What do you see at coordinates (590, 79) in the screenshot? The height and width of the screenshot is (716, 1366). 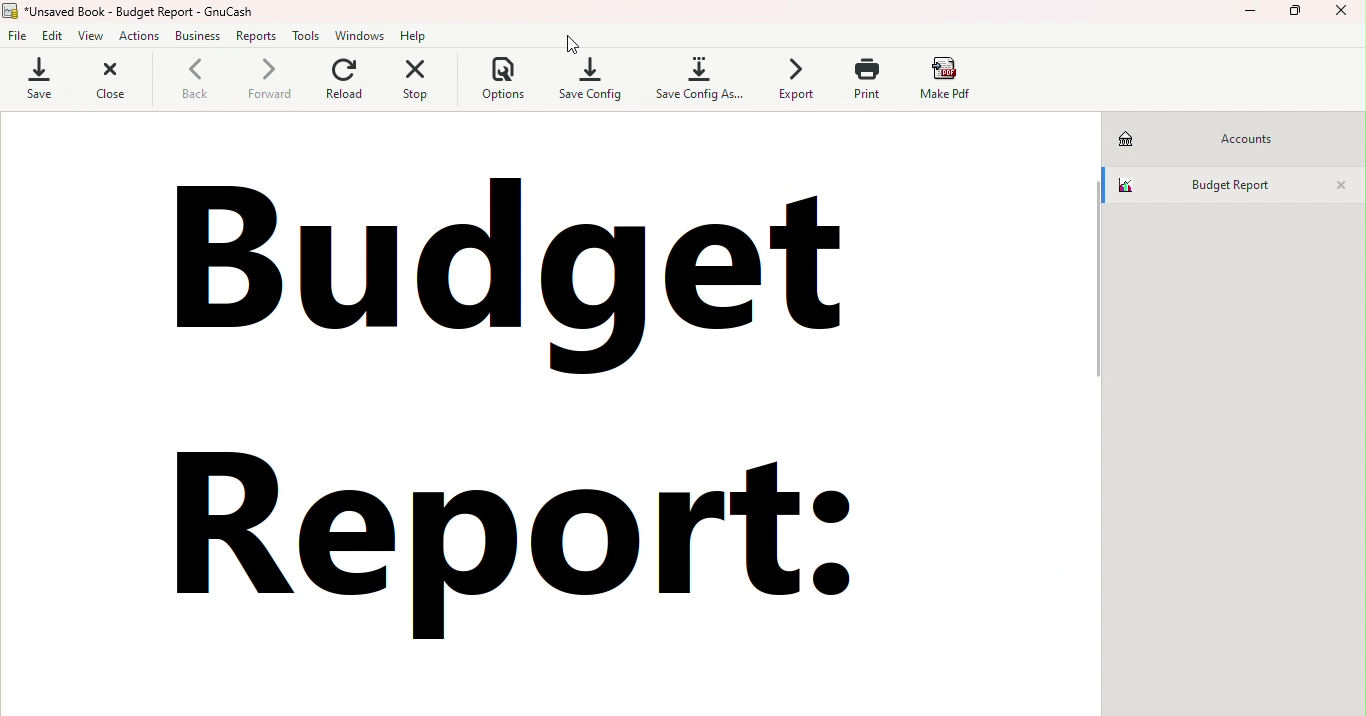 I see `Save config` at bounding box center [590, 79].